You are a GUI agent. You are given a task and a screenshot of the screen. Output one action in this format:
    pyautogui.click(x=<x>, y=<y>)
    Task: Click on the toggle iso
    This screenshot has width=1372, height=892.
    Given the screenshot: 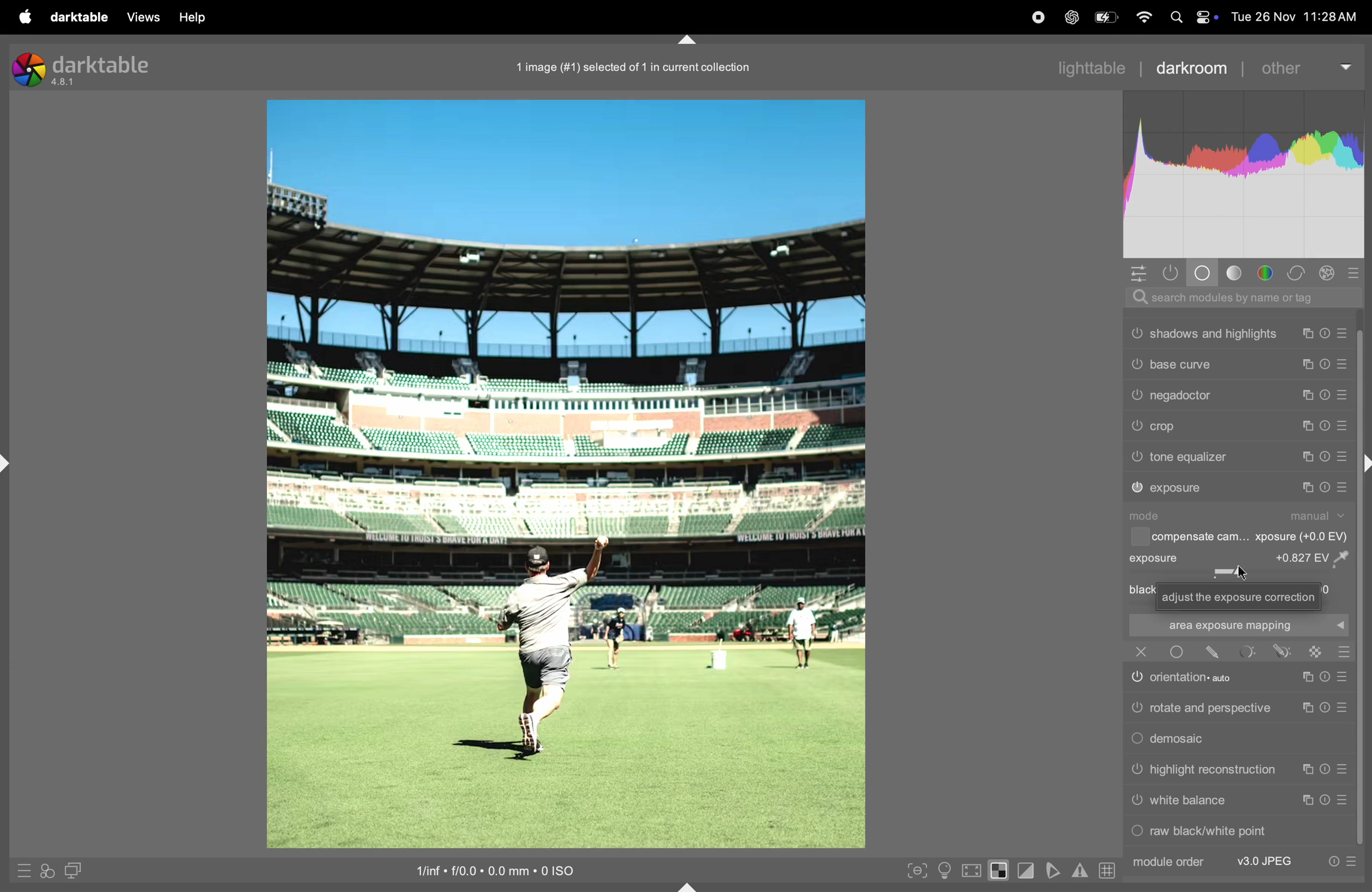 What is the action you would take?
    pyautogui.click(x=944, y=870)
    